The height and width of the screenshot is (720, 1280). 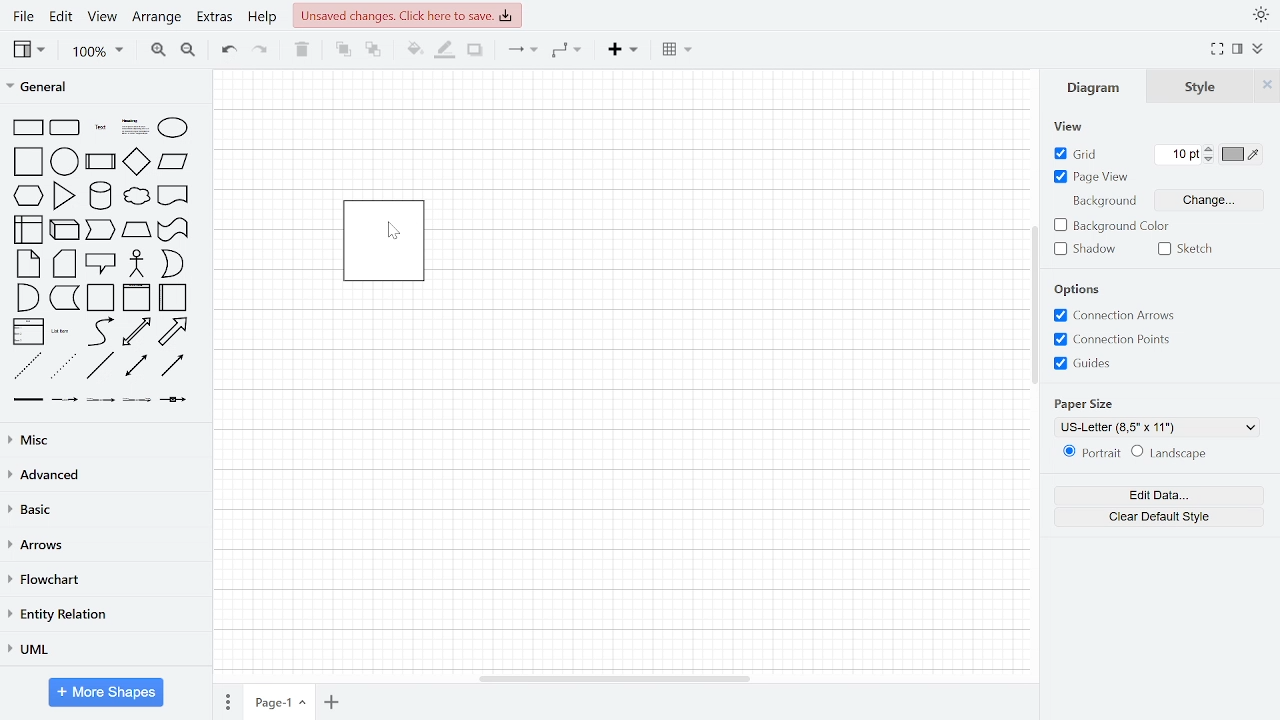 What do you see at coordinates (1098, 87) in the screenshot?
I see `diagram` at bounding box center [1098, 87].